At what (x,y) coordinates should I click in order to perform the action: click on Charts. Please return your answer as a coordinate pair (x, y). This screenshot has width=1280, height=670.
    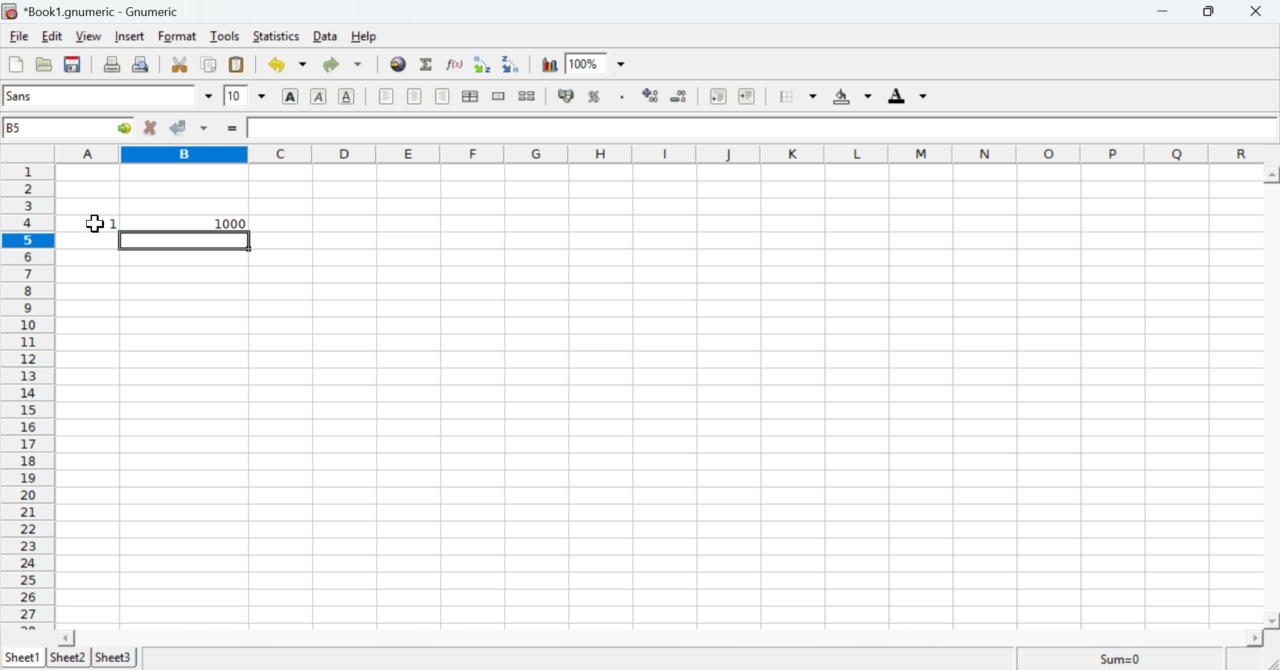
    Looking at the image, I should click on (549, 65).